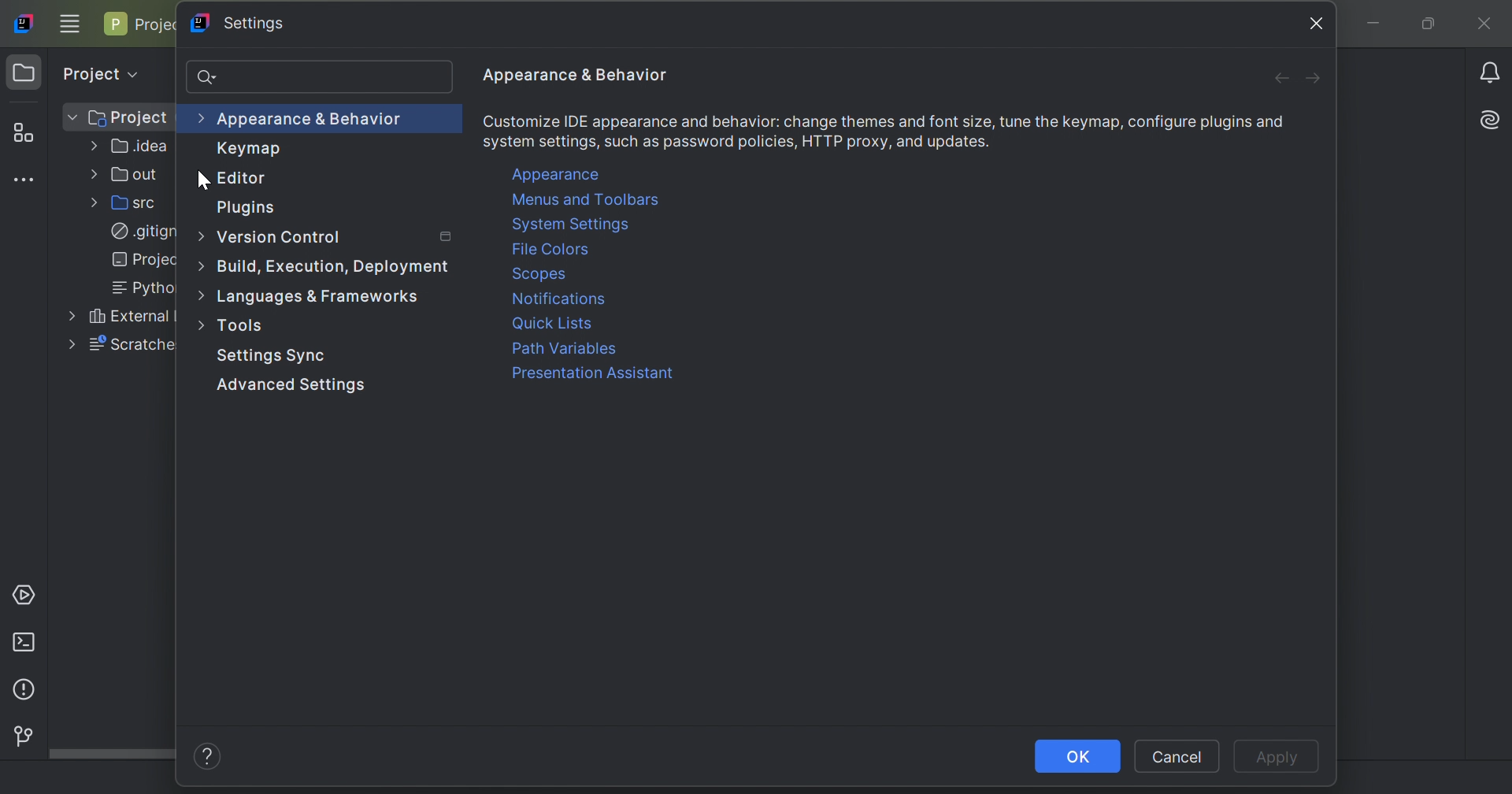  What do you see at coordinates (586, 202) in the screenshot?
I see `Menus and Toolbars` at bounding box center [586, 202].